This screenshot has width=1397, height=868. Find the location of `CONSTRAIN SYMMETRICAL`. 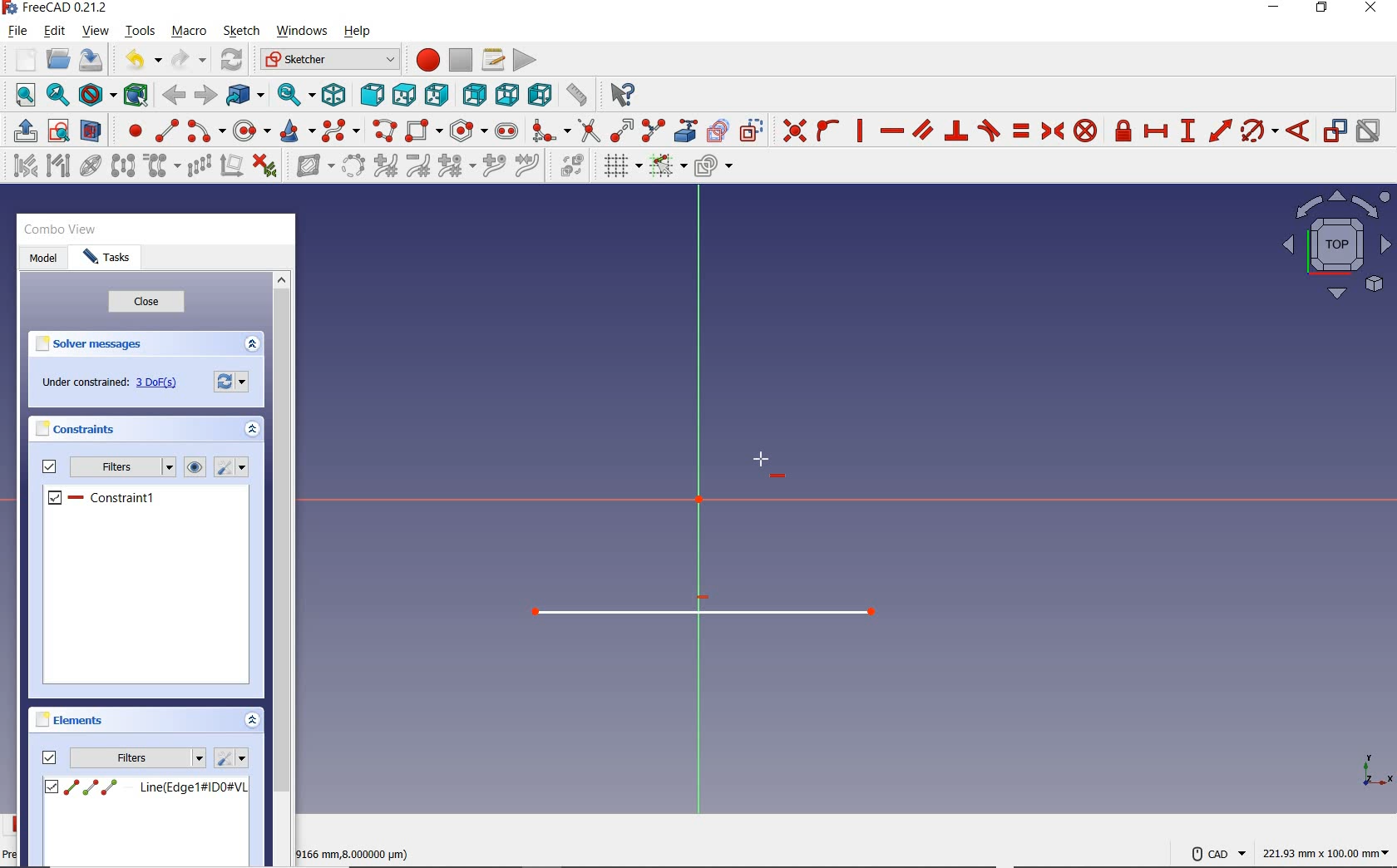

CONSTRAIN SYMMETRICAL is located at coordinates (1050, 131).